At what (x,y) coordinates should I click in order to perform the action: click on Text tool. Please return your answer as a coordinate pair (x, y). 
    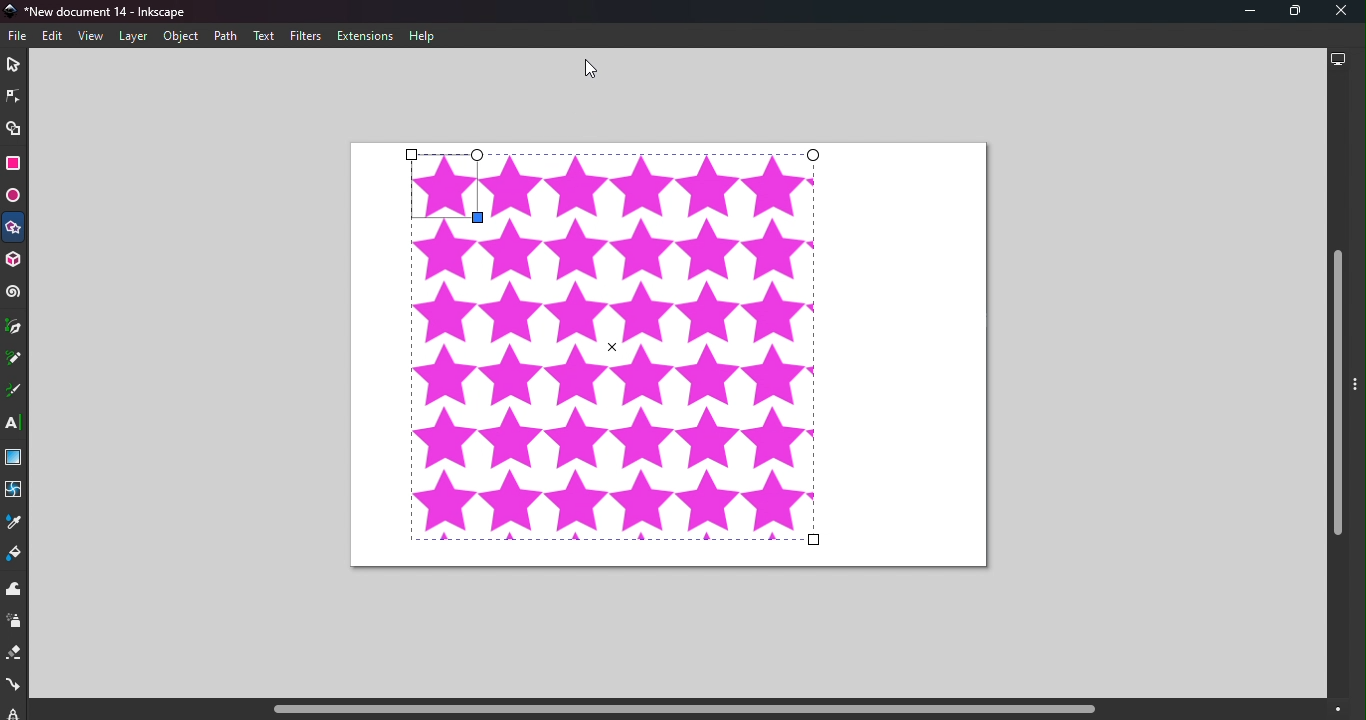
    Looking at the image, I should click on (15, 424).